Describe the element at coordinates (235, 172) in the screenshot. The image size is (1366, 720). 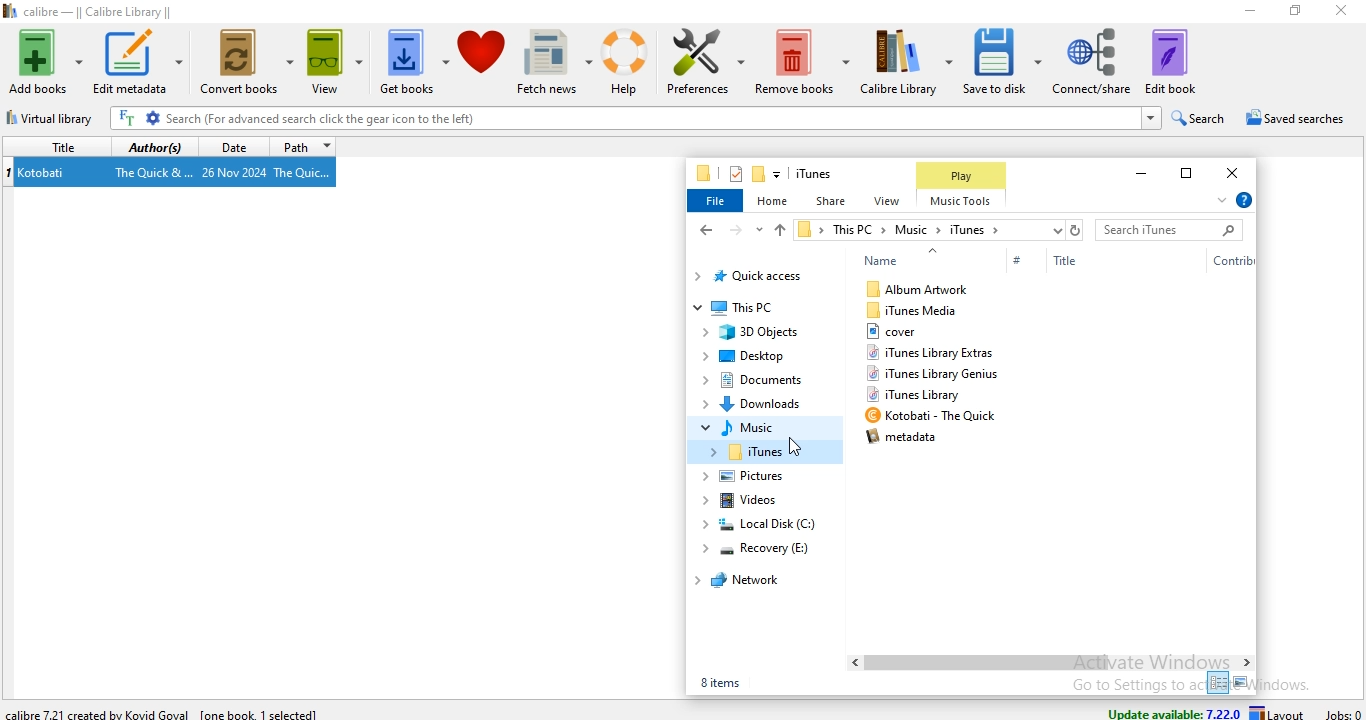
I see `26 Nov 2024` at that location.